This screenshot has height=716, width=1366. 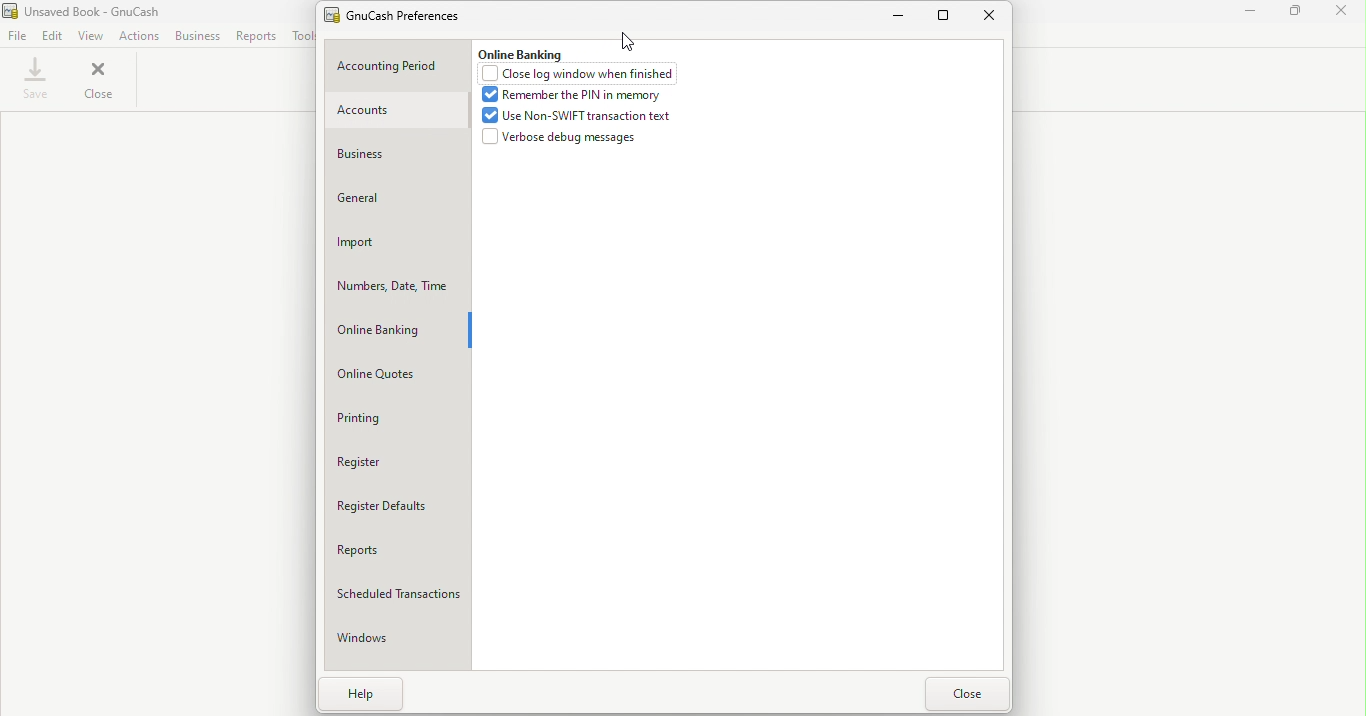 I want to click on Import, so click(x=397, y=243).